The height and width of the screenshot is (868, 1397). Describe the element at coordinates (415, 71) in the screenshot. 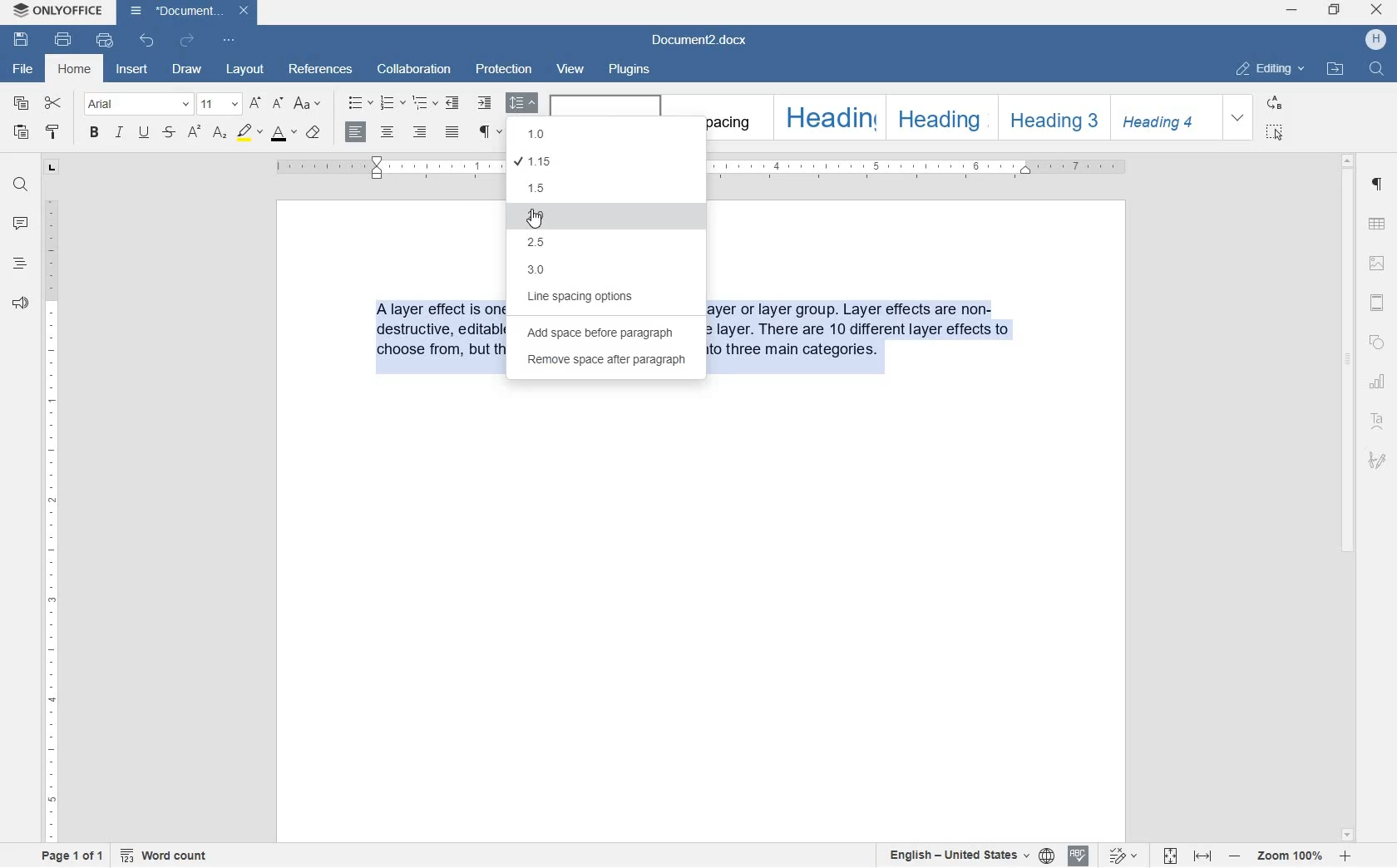

I see `collaboration` at that location.